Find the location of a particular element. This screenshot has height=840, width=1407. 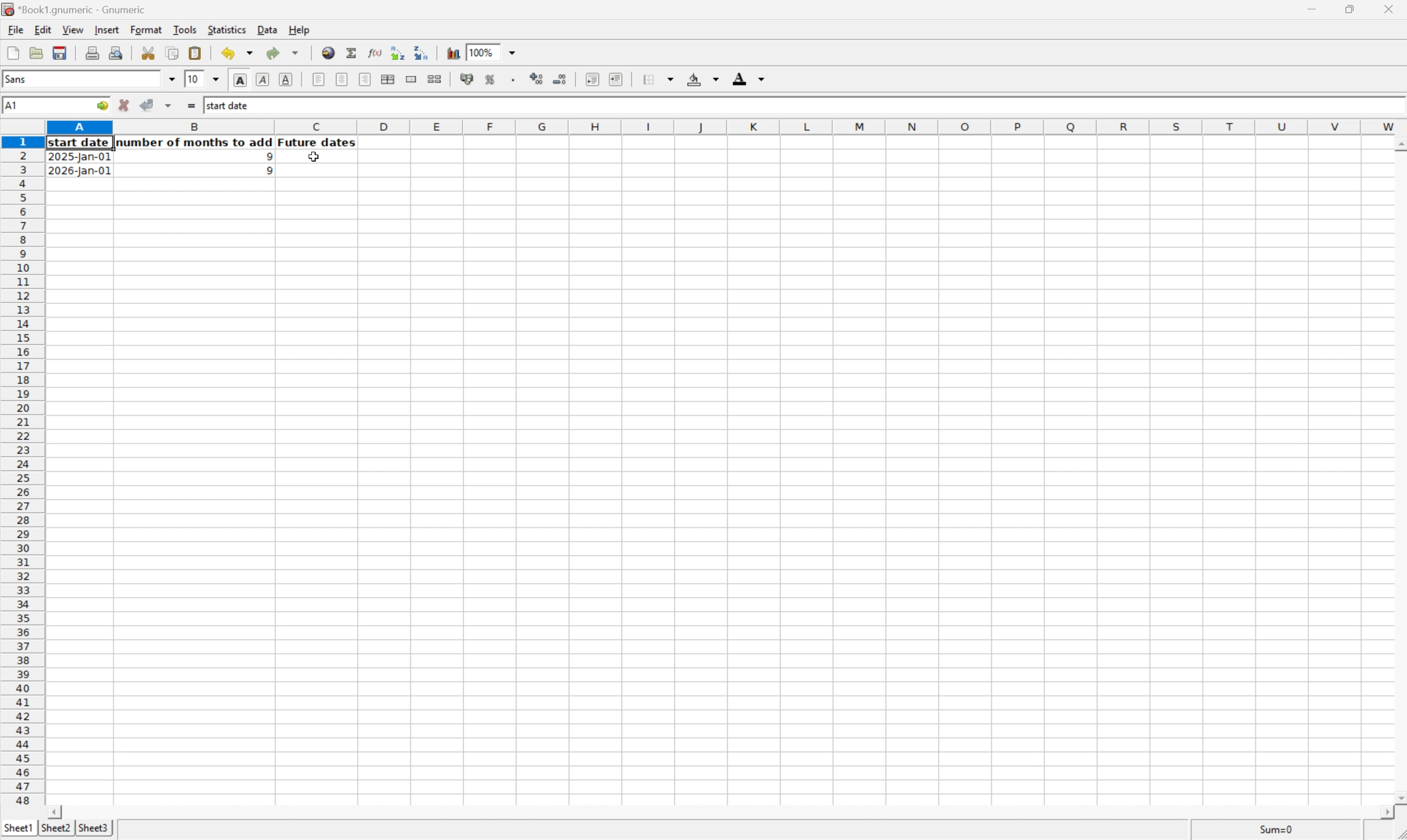

Save a current workbook is located at coordinates (62, 53).